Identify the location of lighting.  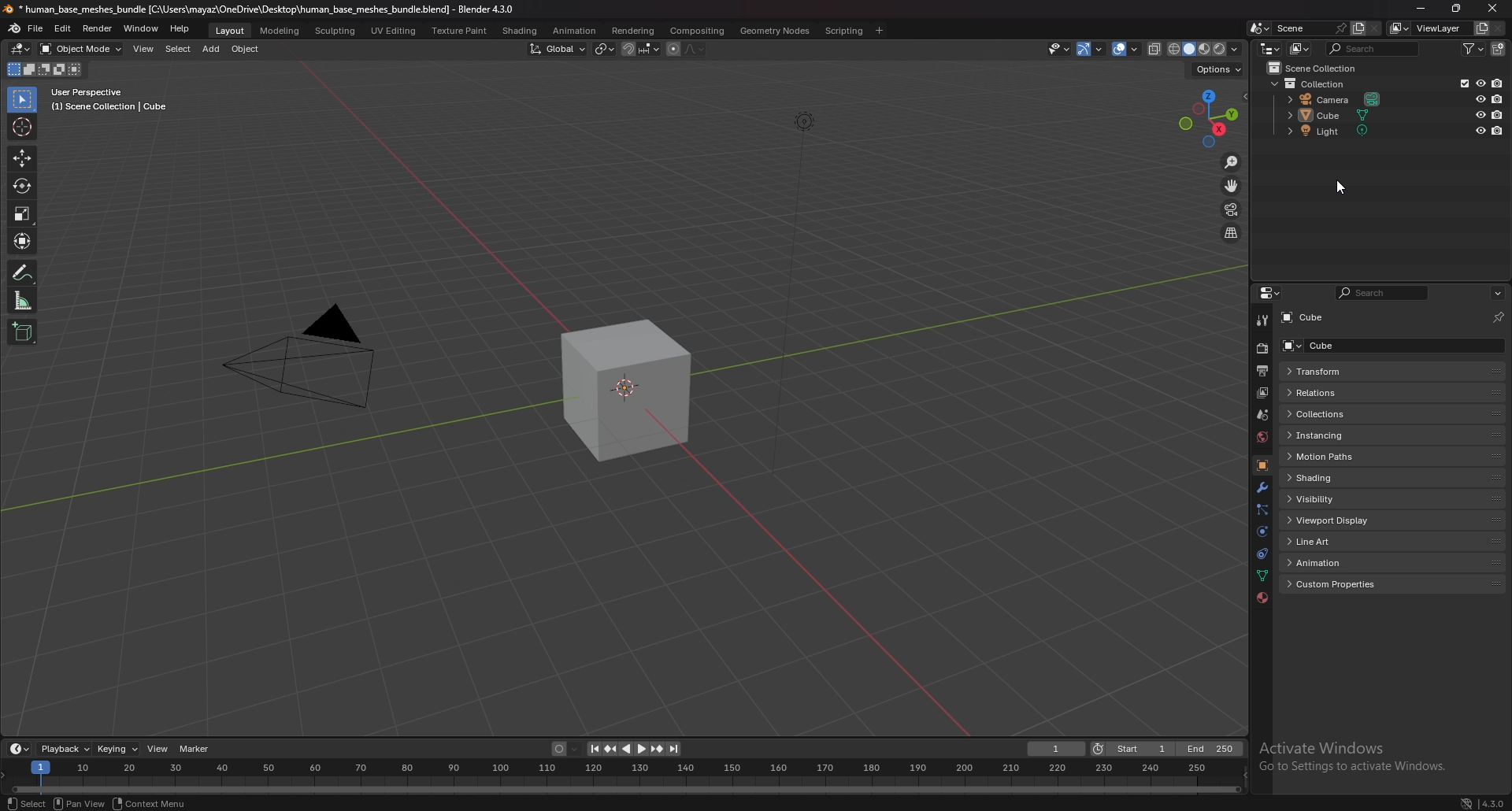
(804, 121).